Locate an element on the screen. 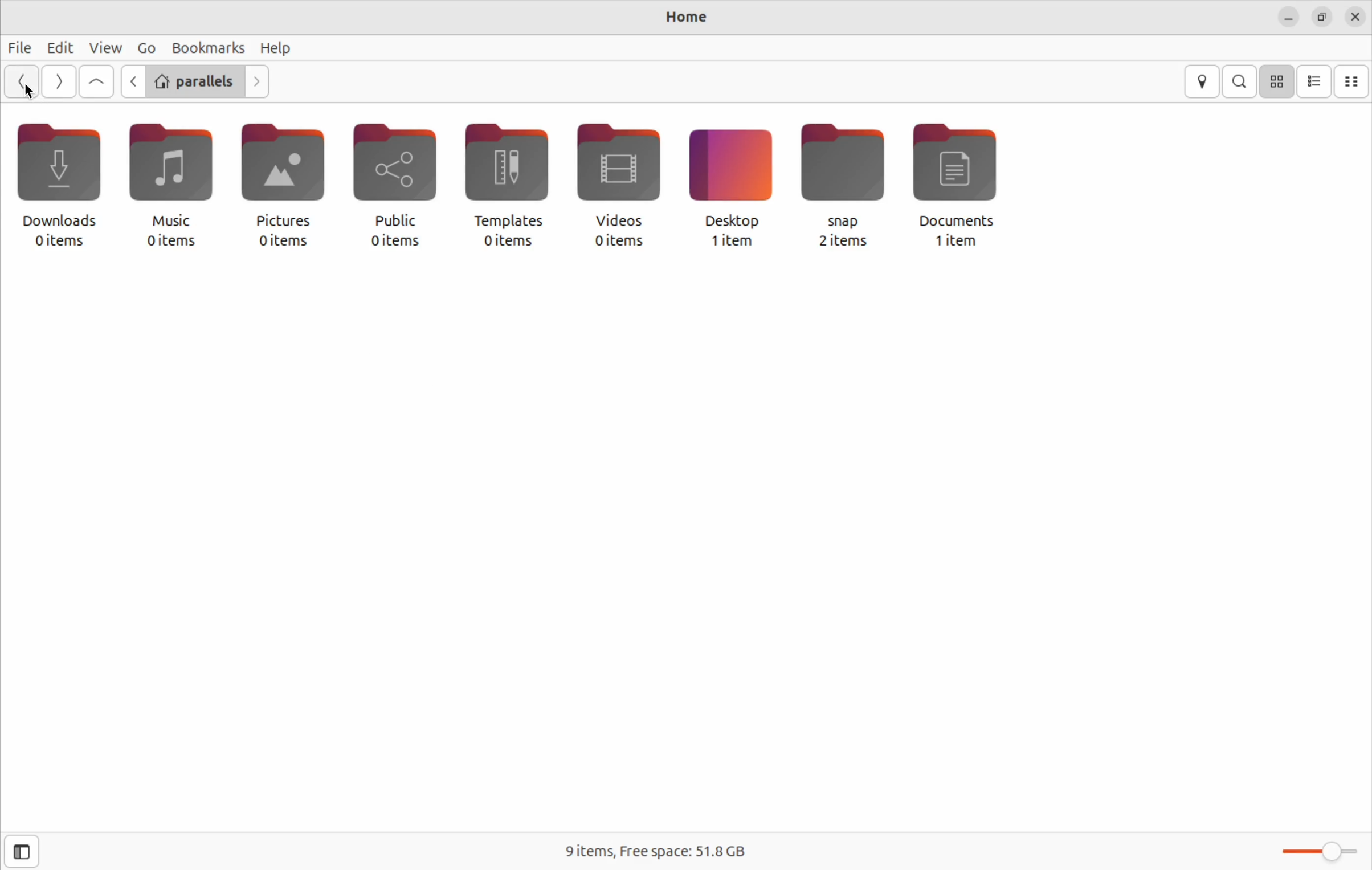 This screenshot has height=870, width=1372. 9 items free space 51.8 Gb is located at coordinates (651, 846).